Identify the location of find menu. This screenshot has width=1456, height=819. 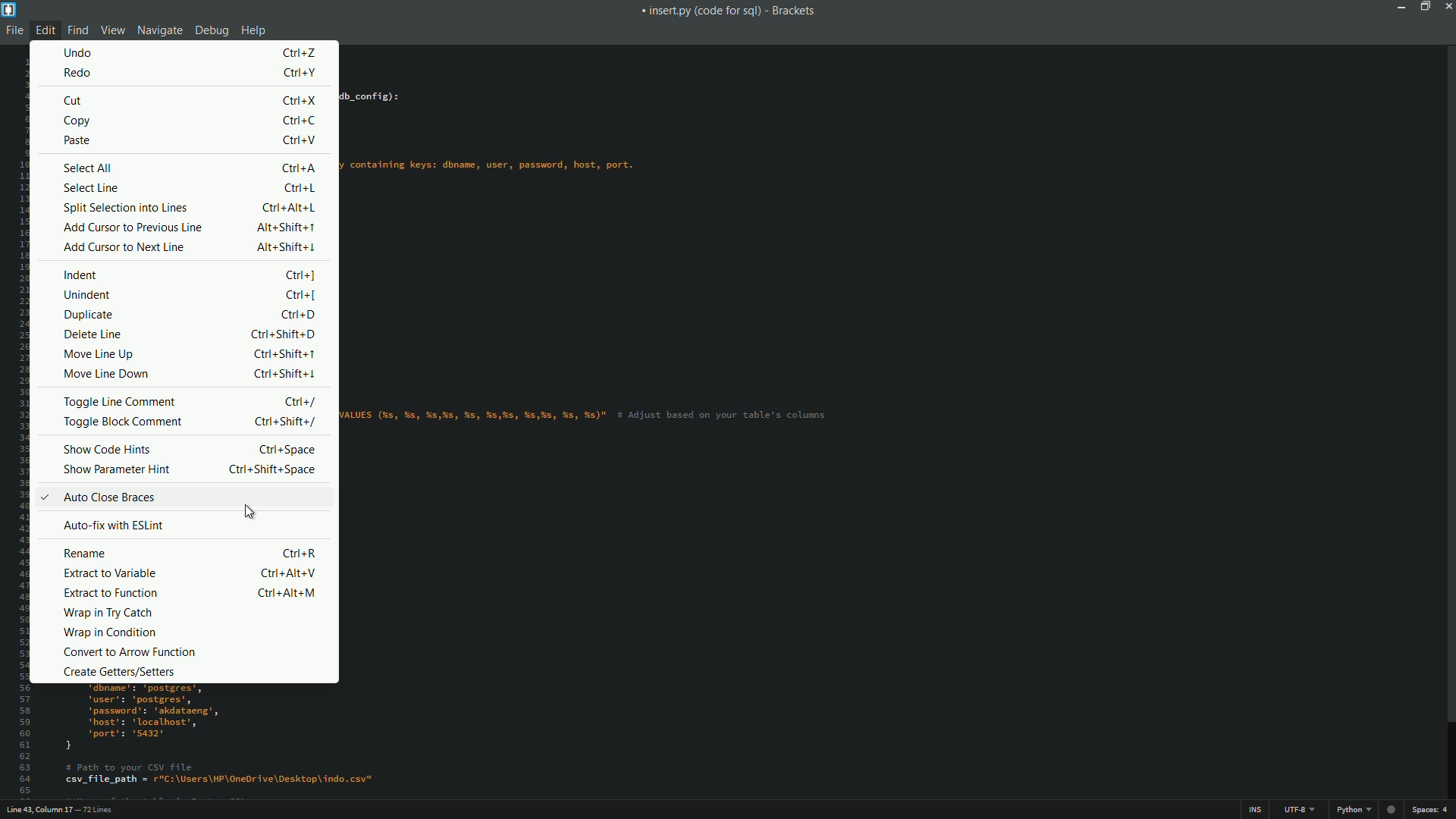
(78, 30).